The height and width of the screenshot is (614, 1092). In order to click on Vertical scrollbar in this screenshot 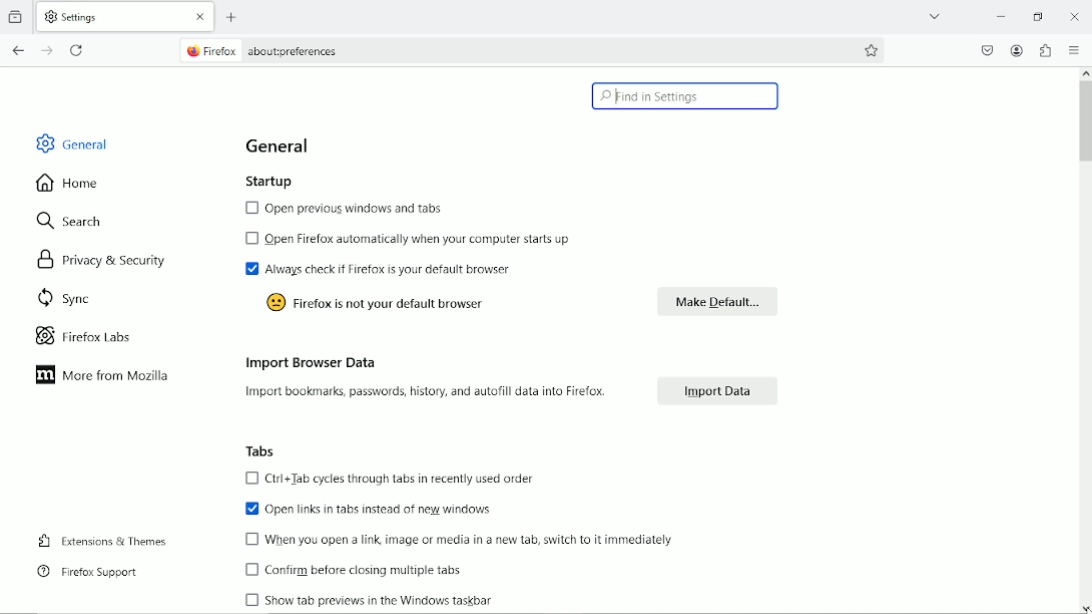, I will do `click(1085, 127)`.